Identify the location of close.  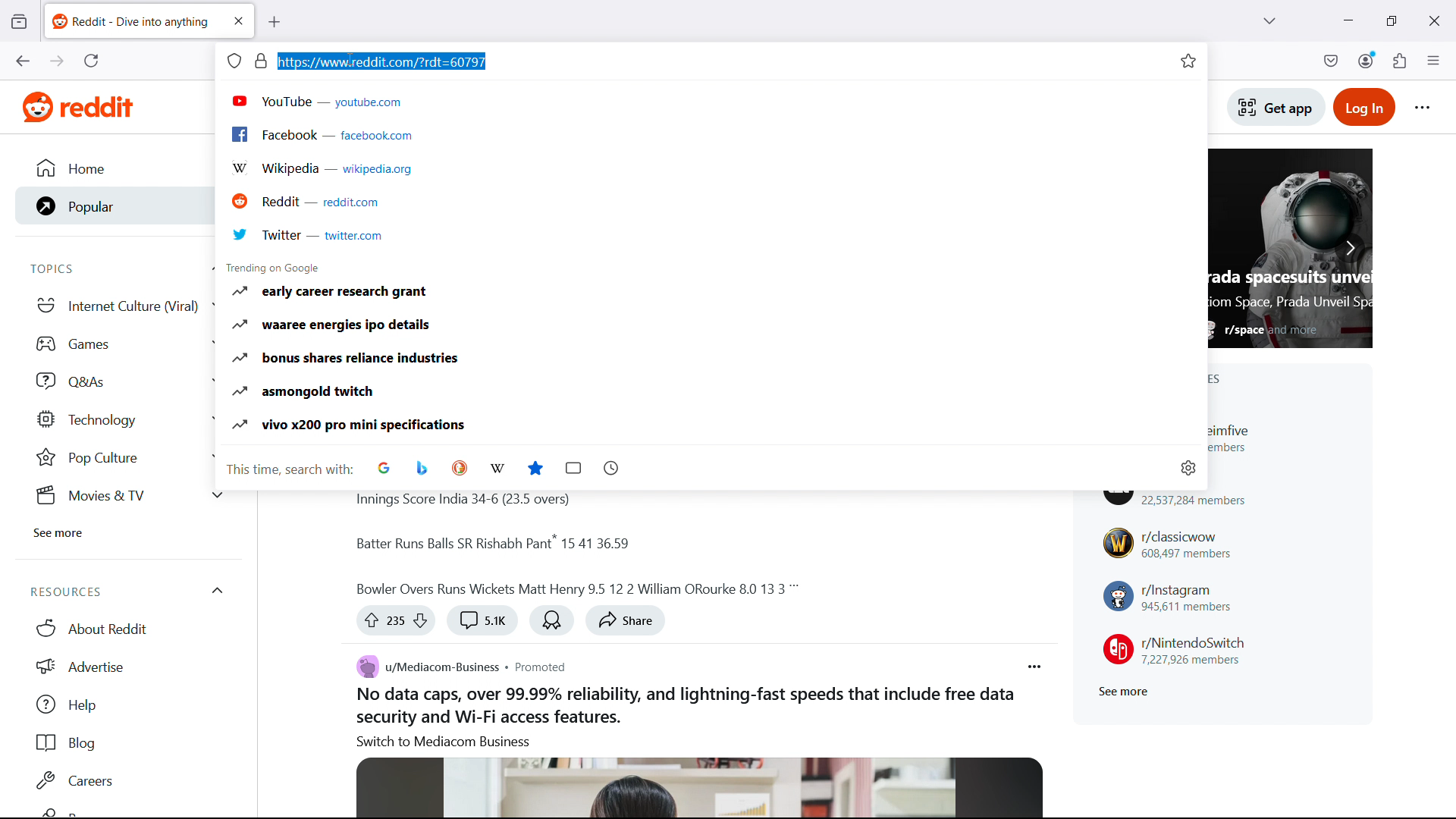
(1432, 19).